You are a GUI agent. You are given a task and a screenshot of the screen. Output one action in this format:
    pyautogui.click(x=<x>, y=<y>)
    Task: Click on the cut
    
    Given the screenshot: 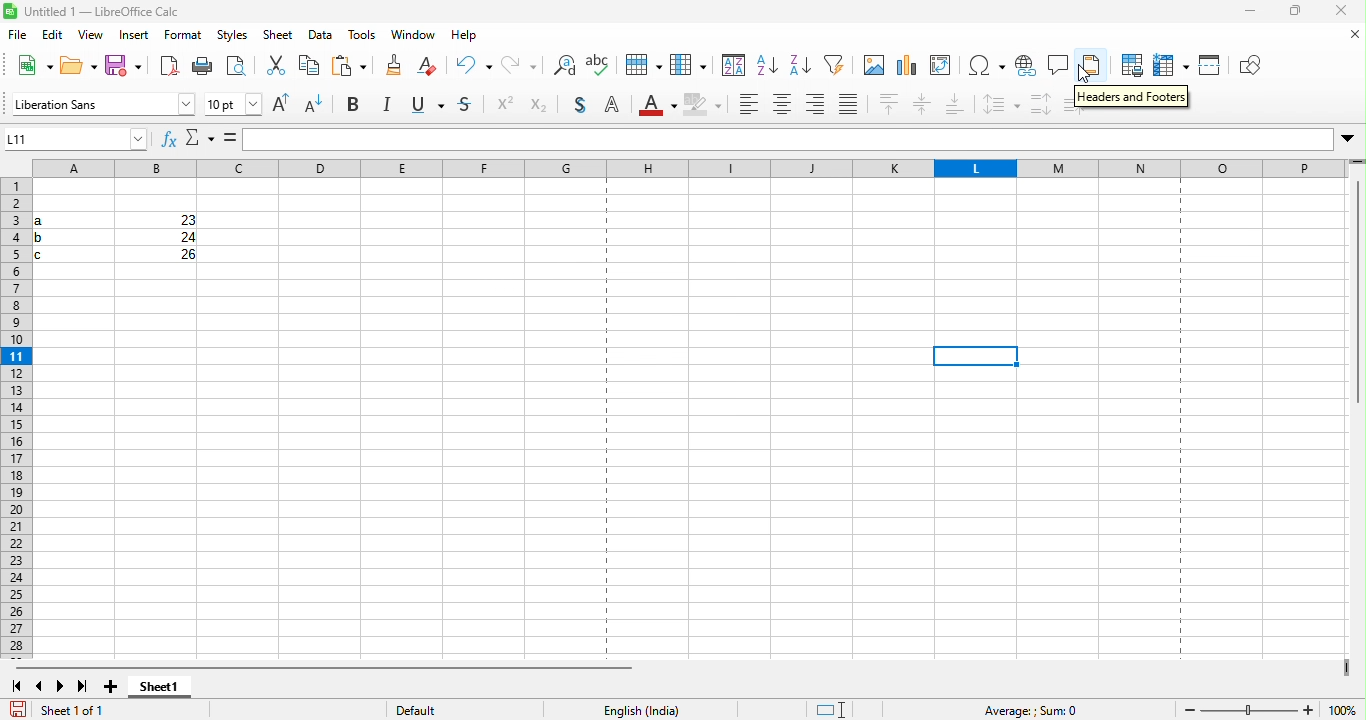 What is the action you would take?
    pyautogui.click(x=240, y=68)
    